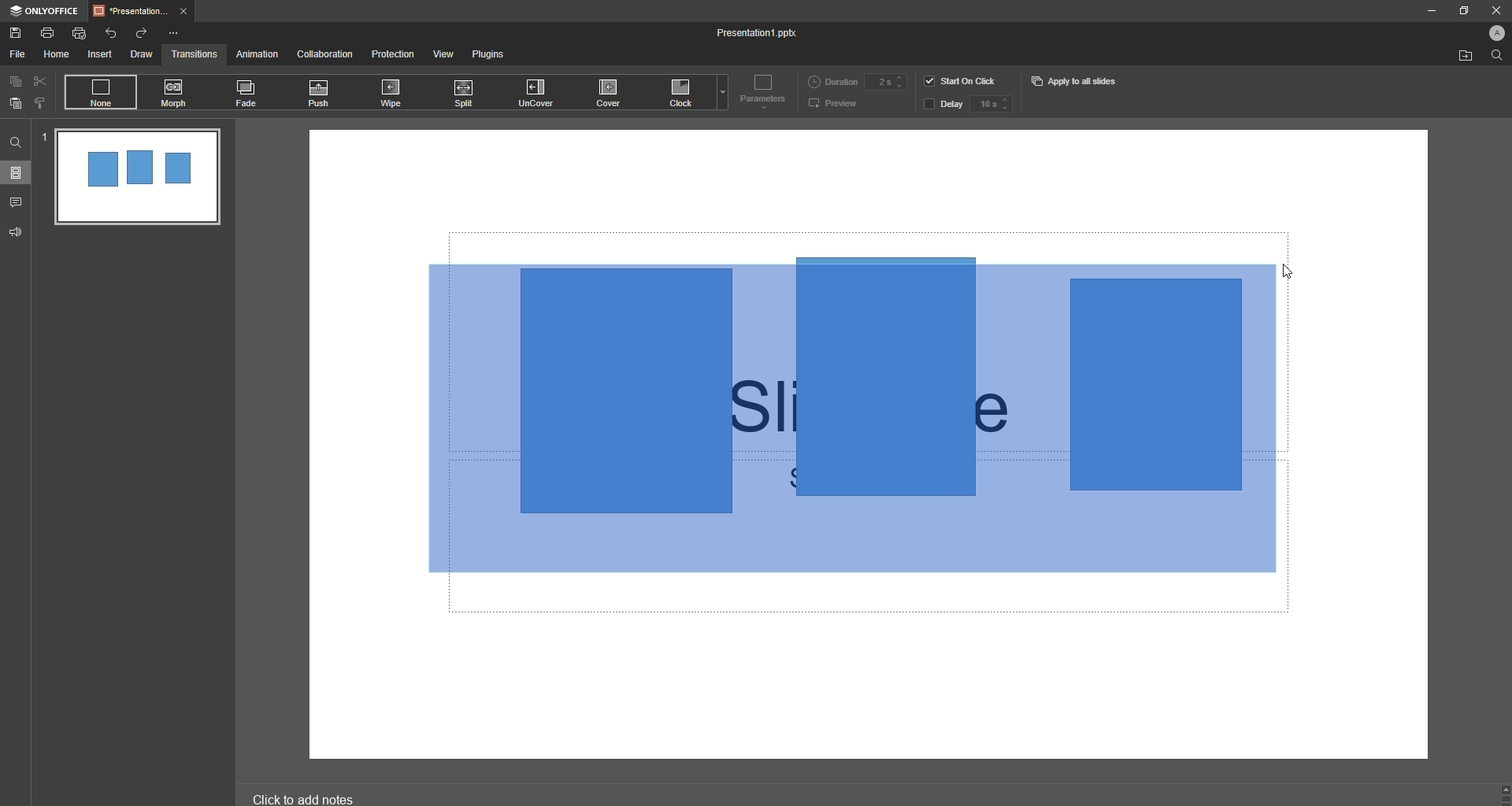 This screenshot has height=806, width=1512. Describe the element at coordinates (610, 92) in the screenshot. I see `Cover` at that location.